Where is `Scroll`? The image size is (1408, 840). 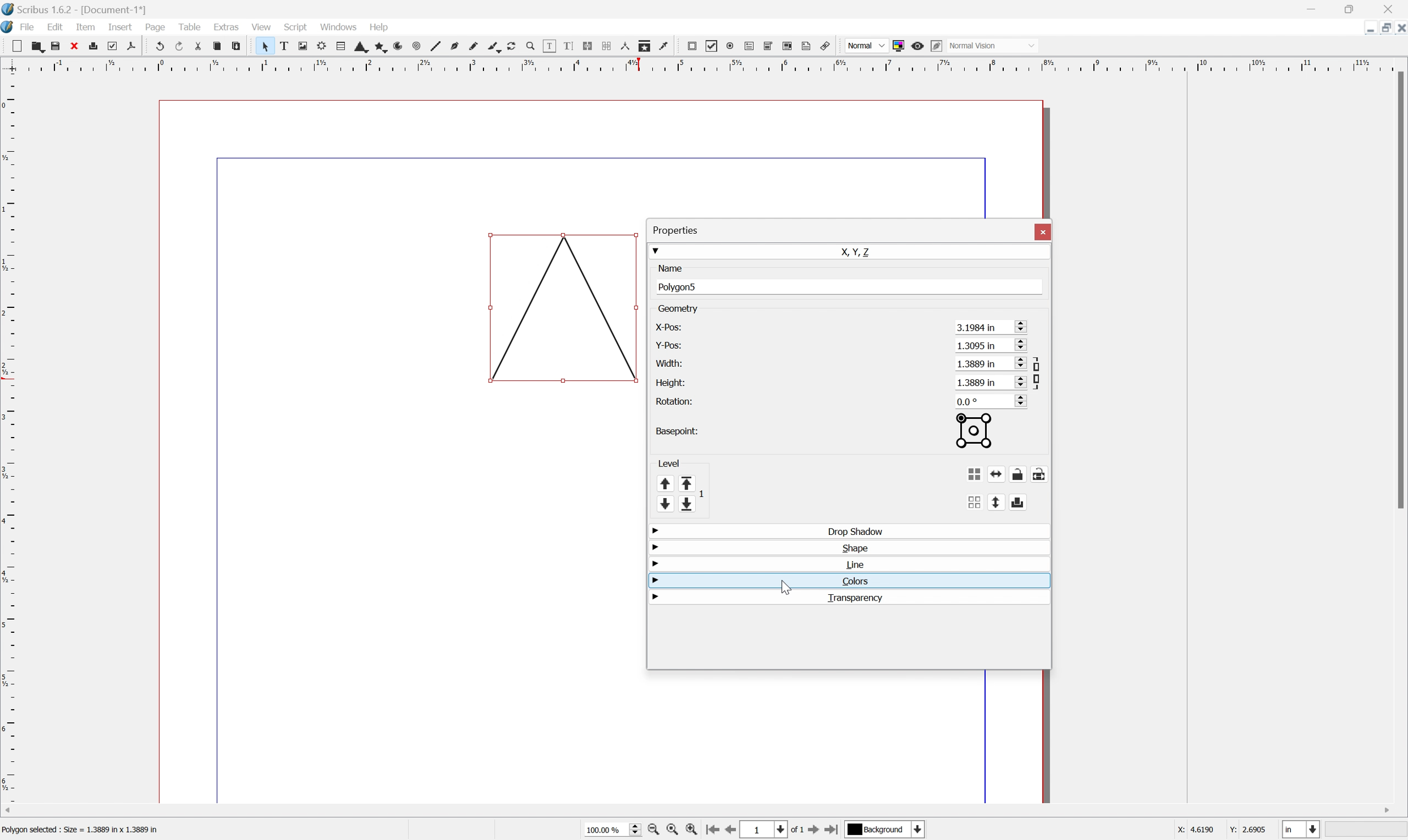 Scroll is located at coordinates (1018, 400).